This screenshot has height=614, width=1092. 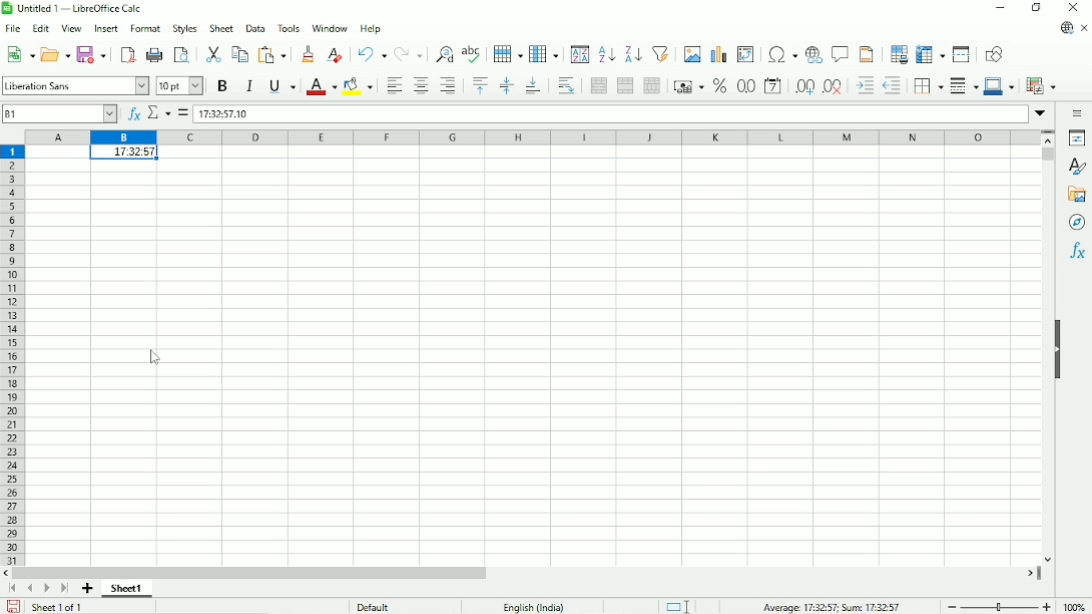 What do you see at coordinates (274, 54) in the screenshot?
I see `Paste` at bounding box center [274, 54].